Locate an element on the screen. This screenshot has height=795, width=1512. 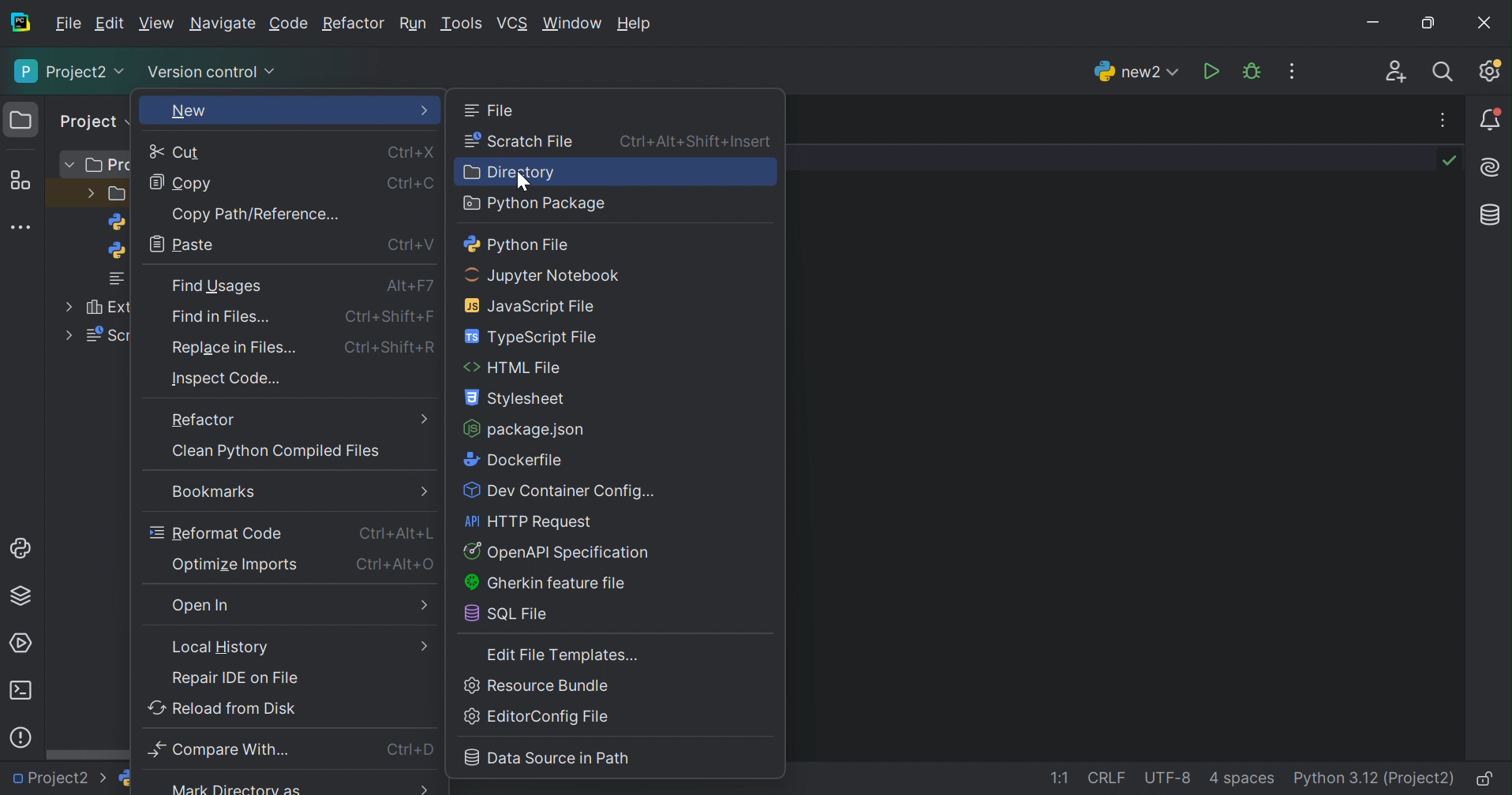
Python 3.12 (Project) is located at coordinates (1375, 778).